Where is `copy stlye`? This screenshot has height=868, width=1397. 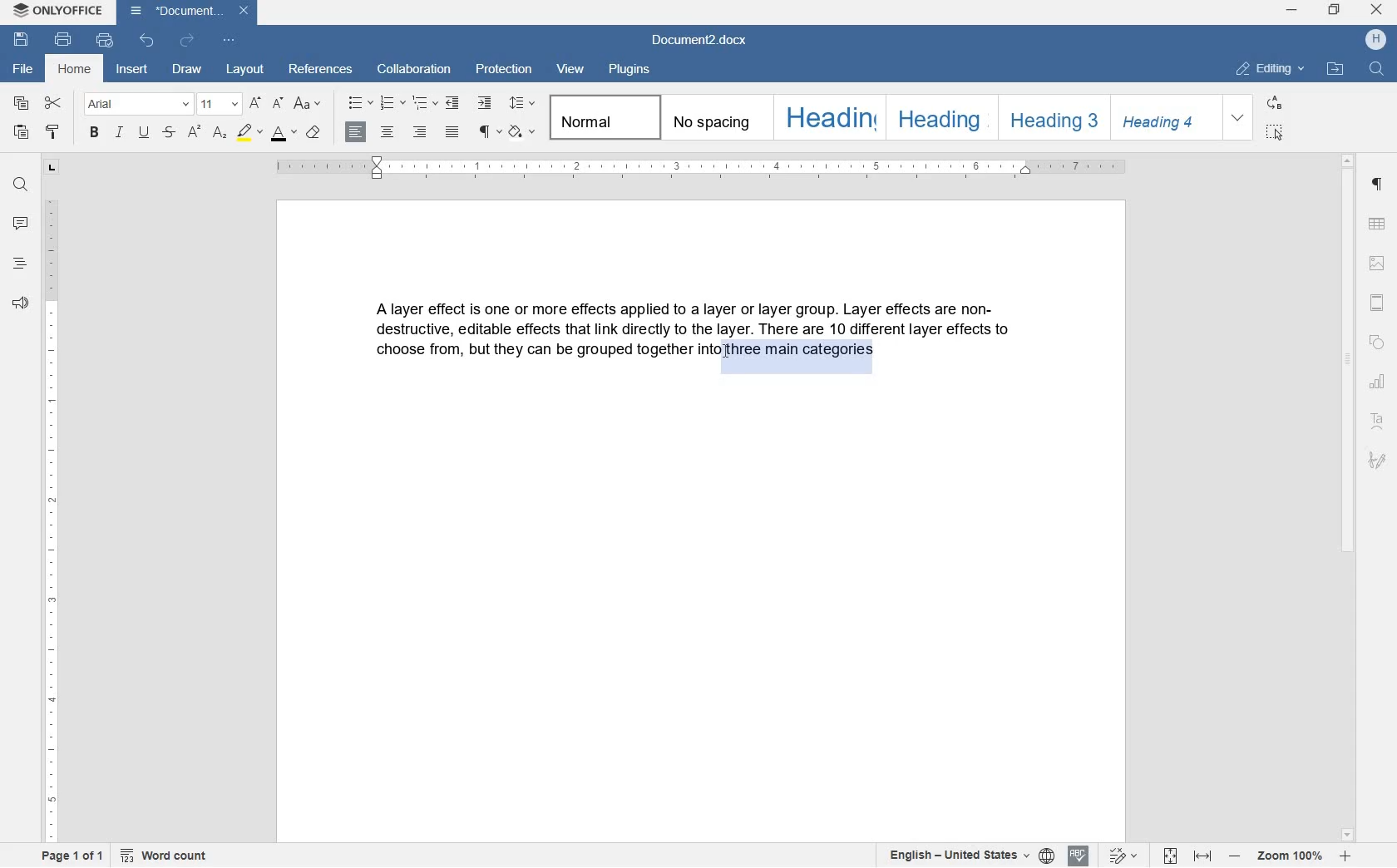
copy stlye is located at coordinates (52, 133).